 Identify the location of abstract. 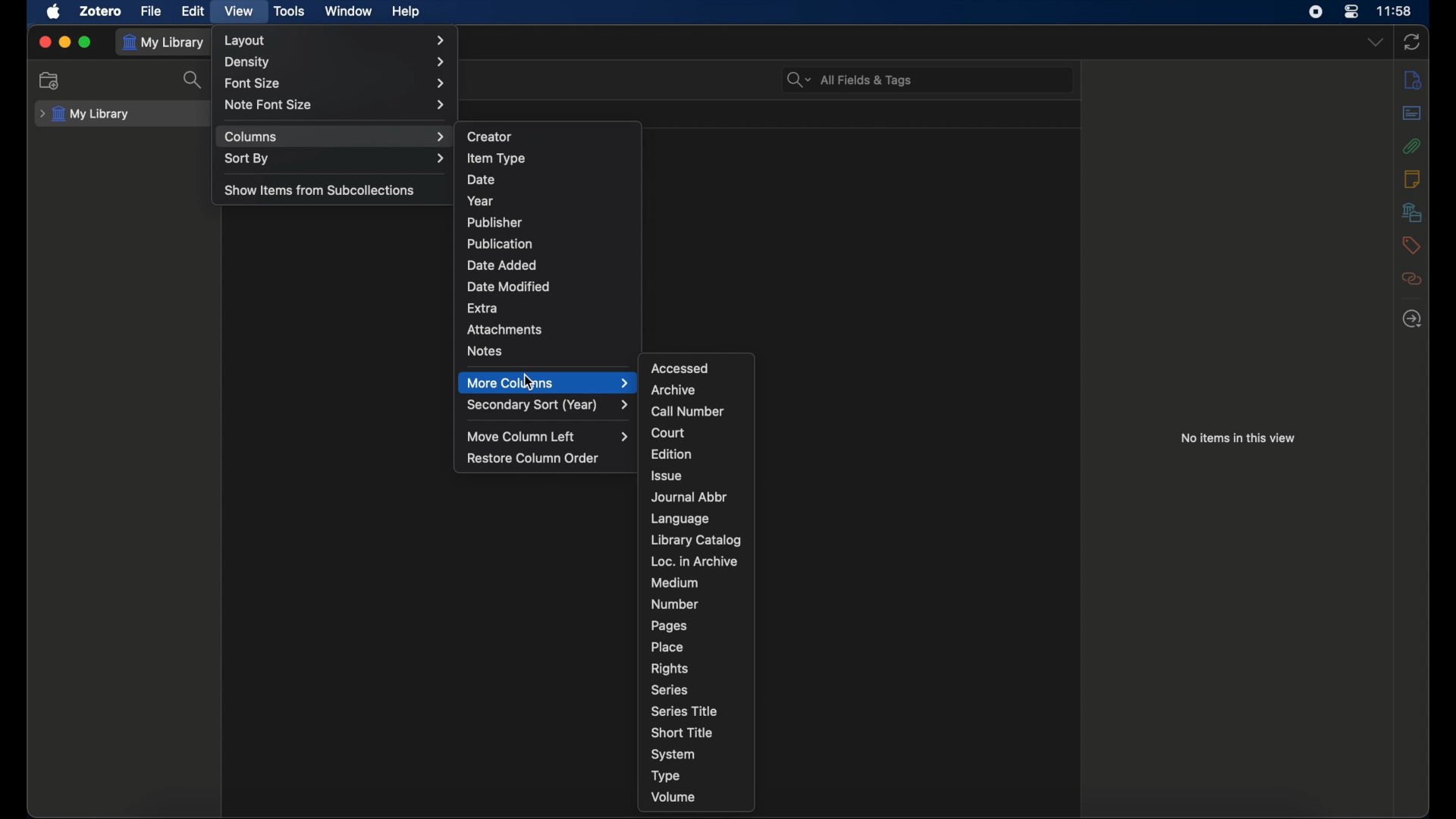
(1411, 114).